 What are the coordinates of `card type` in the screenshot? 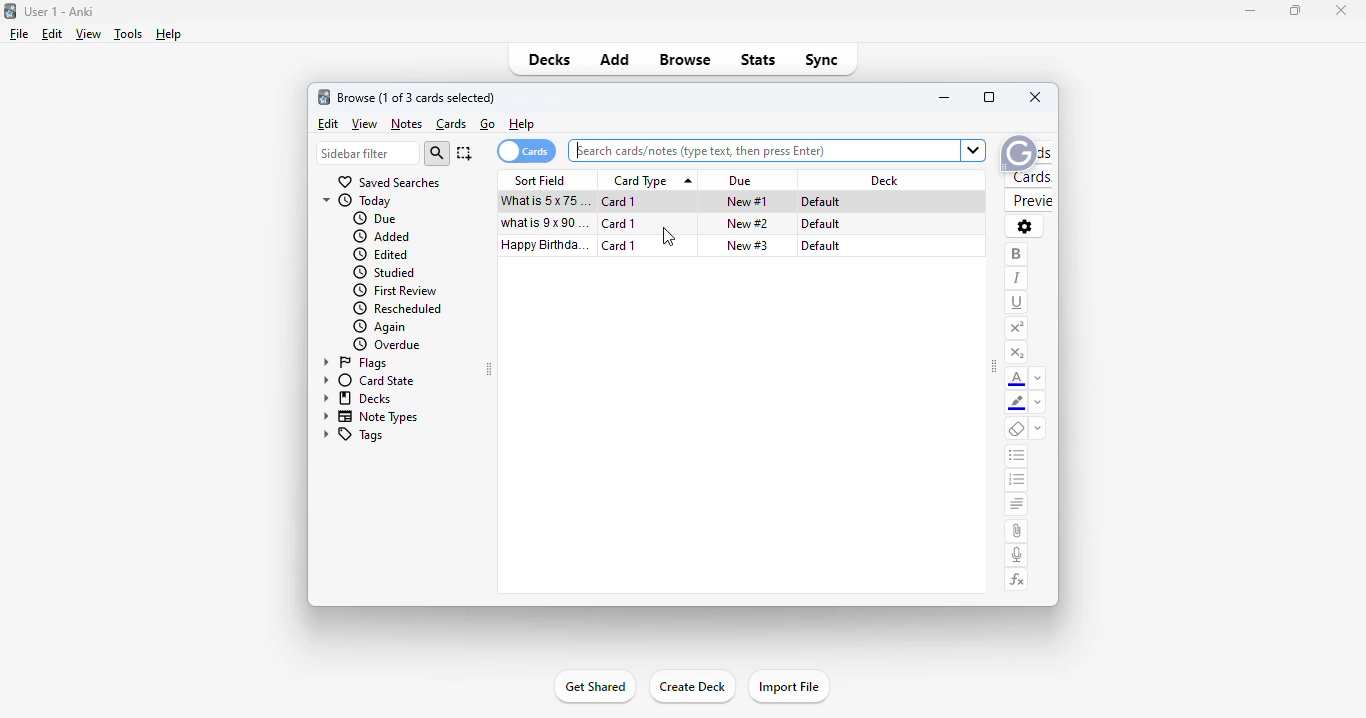 It's located at (651, 180).